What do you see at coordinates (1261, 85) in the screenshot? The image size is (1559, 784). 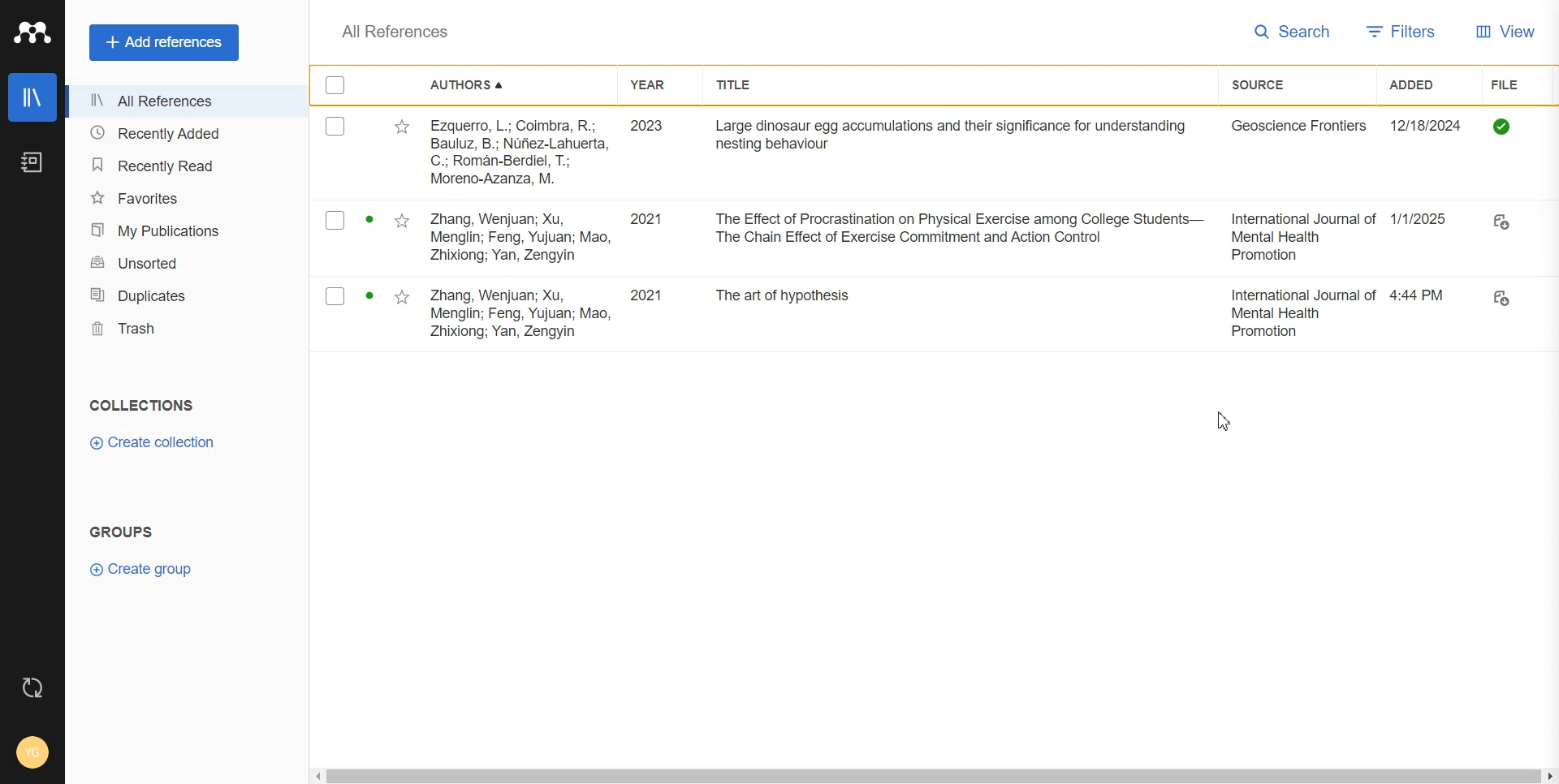 I see `Source` at bounding box center [1261, 85].